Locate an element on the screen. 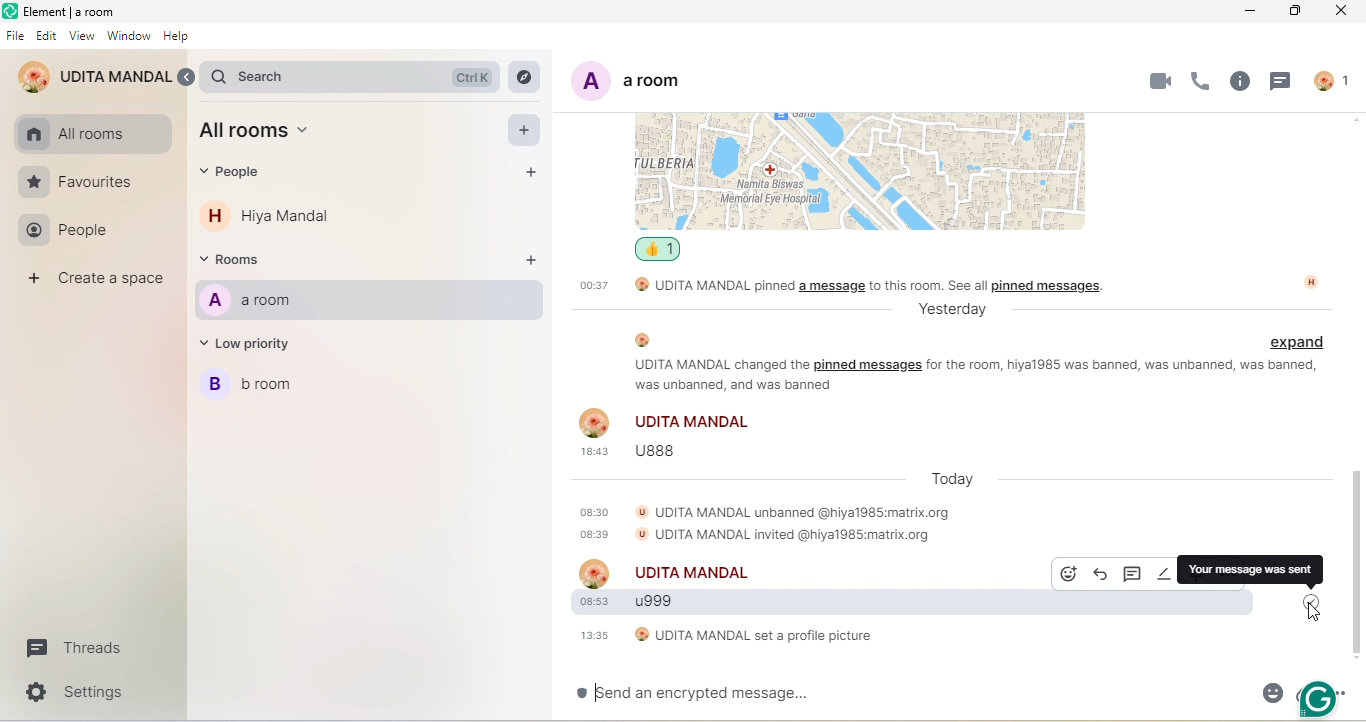  File is located at coordinates (14, 35).